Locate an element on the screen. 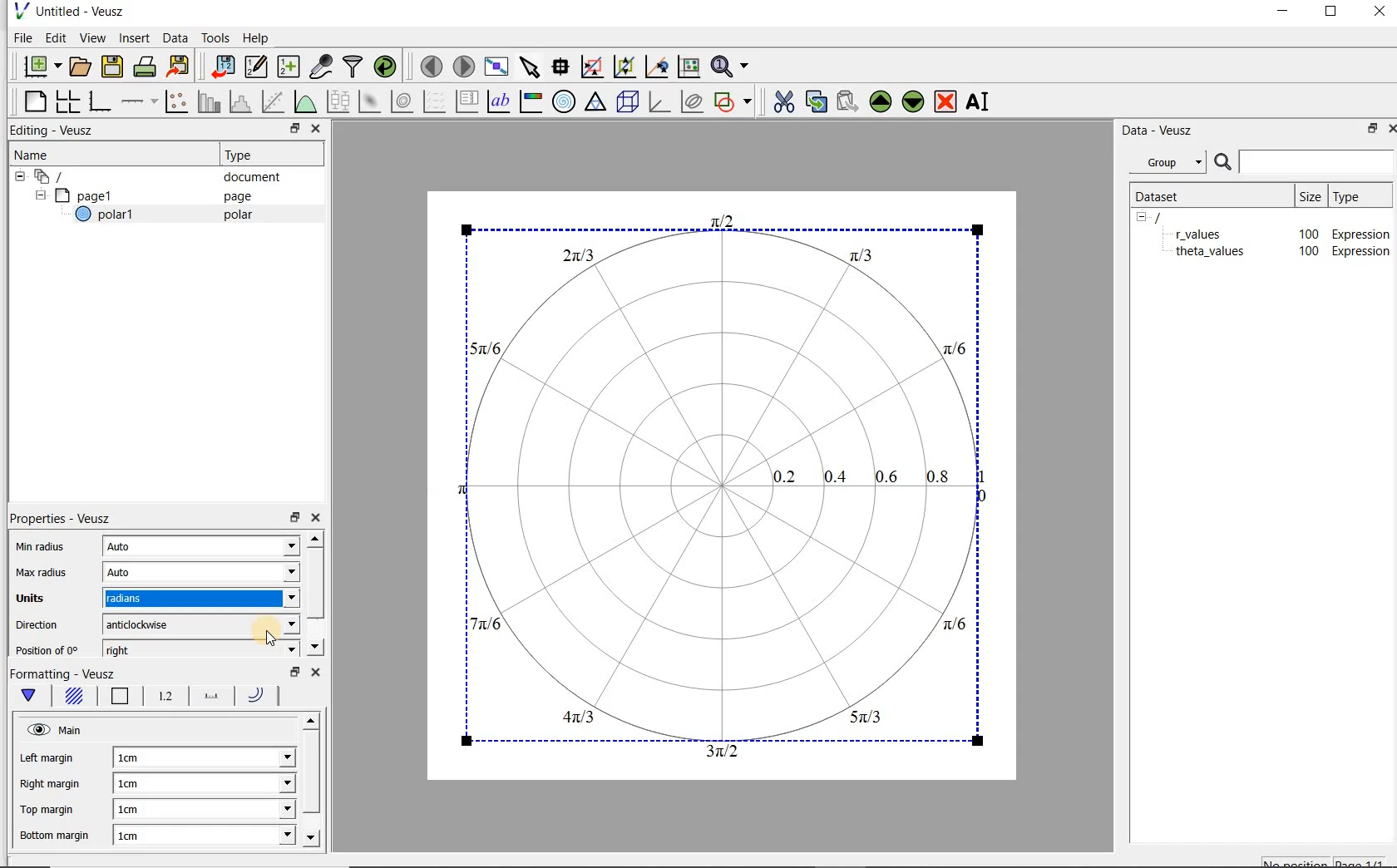 This screenshot has width=1397, height=868. cut the selected widget is located at coordinates (781, 100).